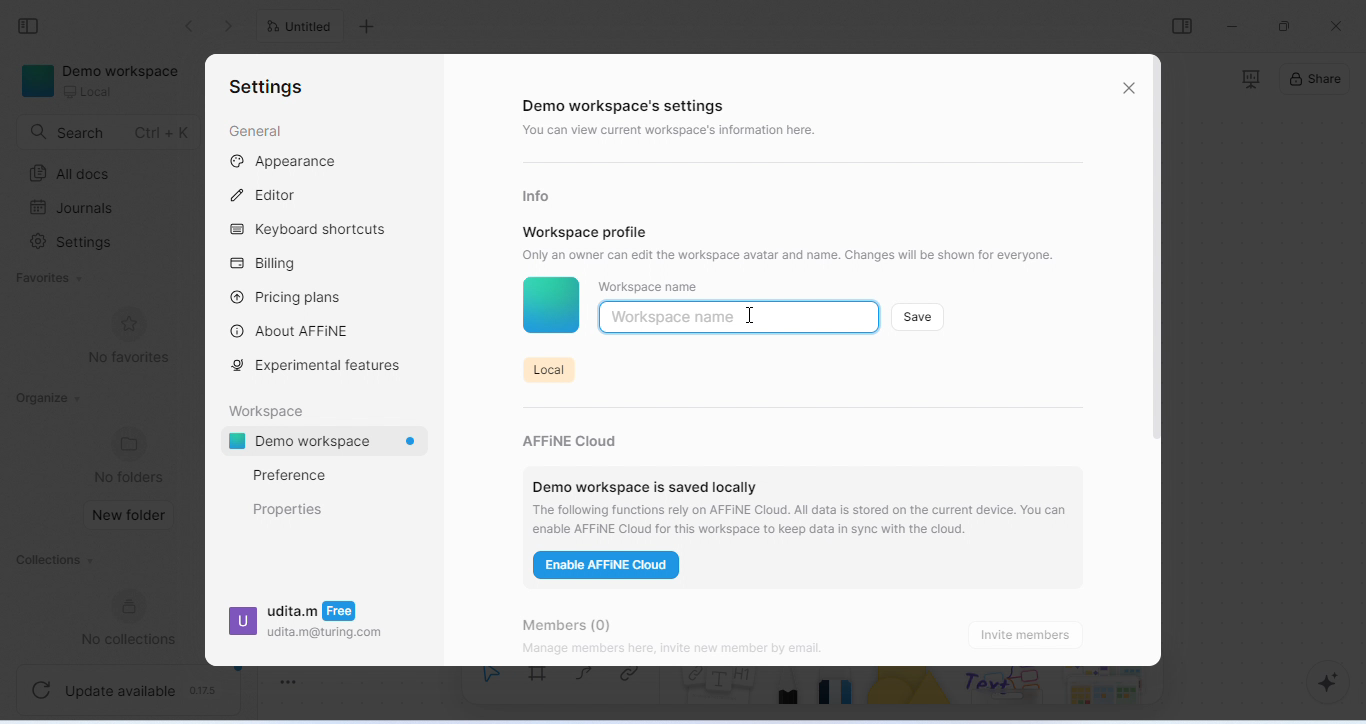 The height and width of the screenshot is (724, 1366). What do you see at coordinates (1336, 26) in the screenshot?
I see `close` at bounding box center [1336, 26].